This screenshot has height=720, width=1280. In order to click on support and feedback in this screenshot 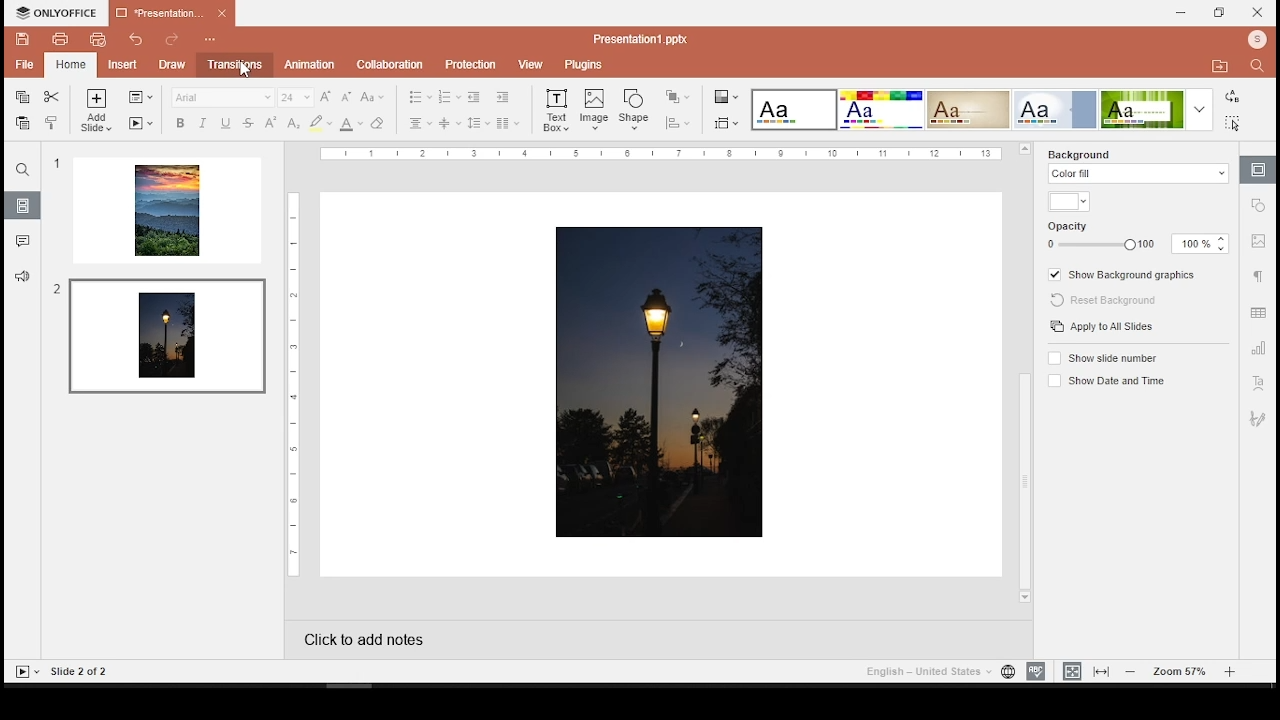, I will do `click(22, 275)`.